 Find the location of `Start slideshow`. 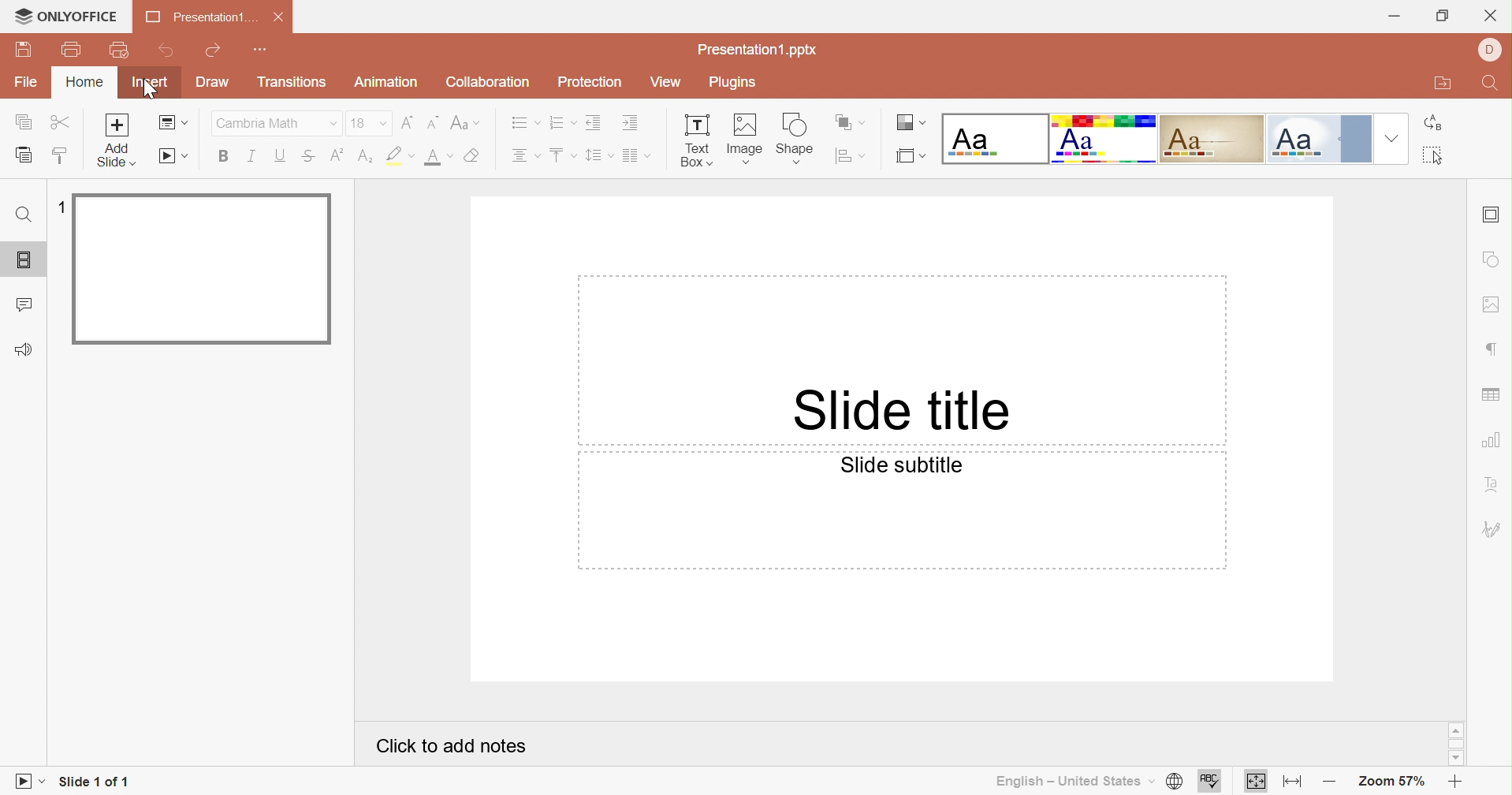

Start slideshow is located at coordinates (28, 780).